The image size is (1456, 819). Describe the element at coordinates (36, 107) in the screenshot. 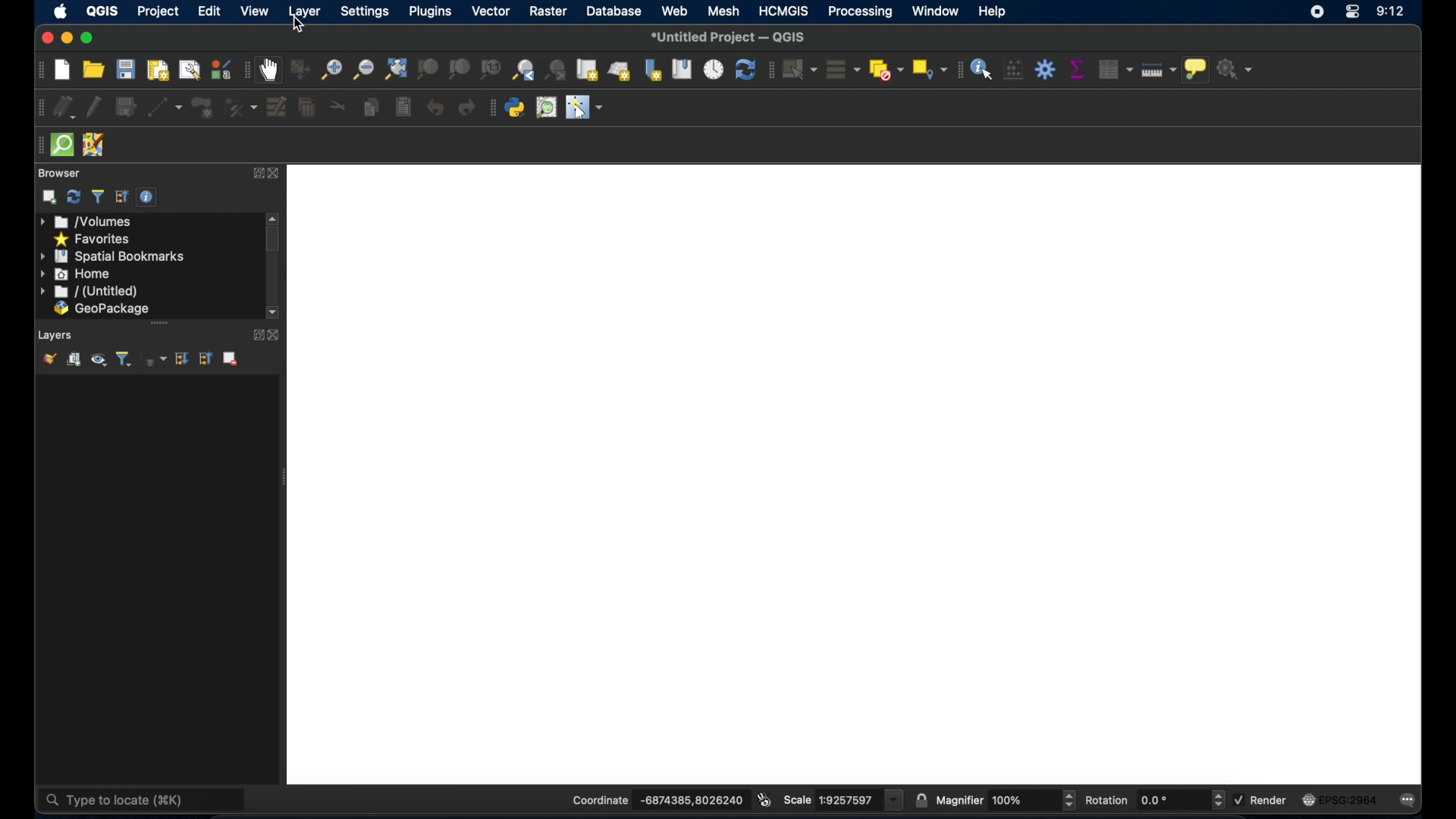

I see `digitizing toolbar` at that location.